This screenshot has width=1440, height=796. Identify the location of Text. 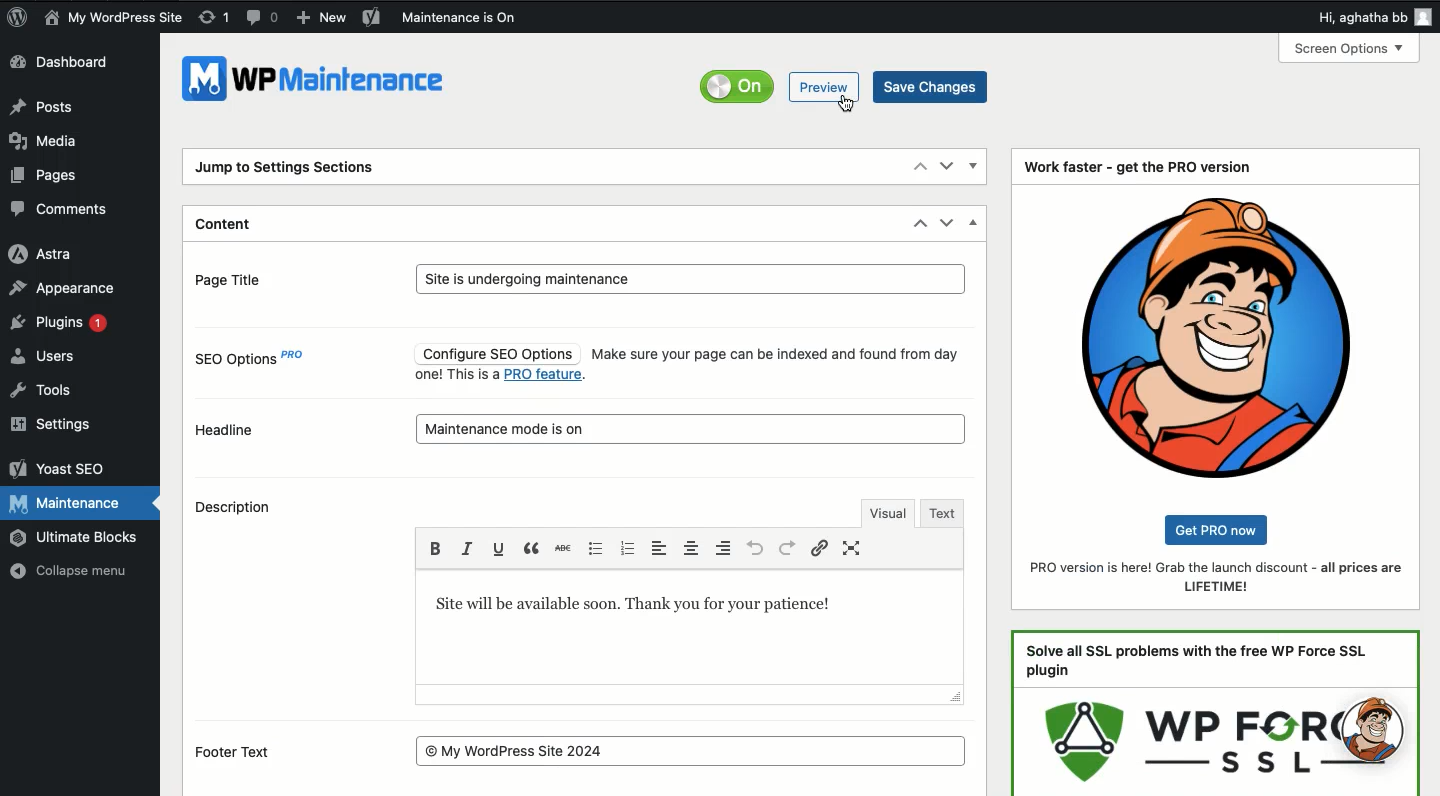
(944, 513).